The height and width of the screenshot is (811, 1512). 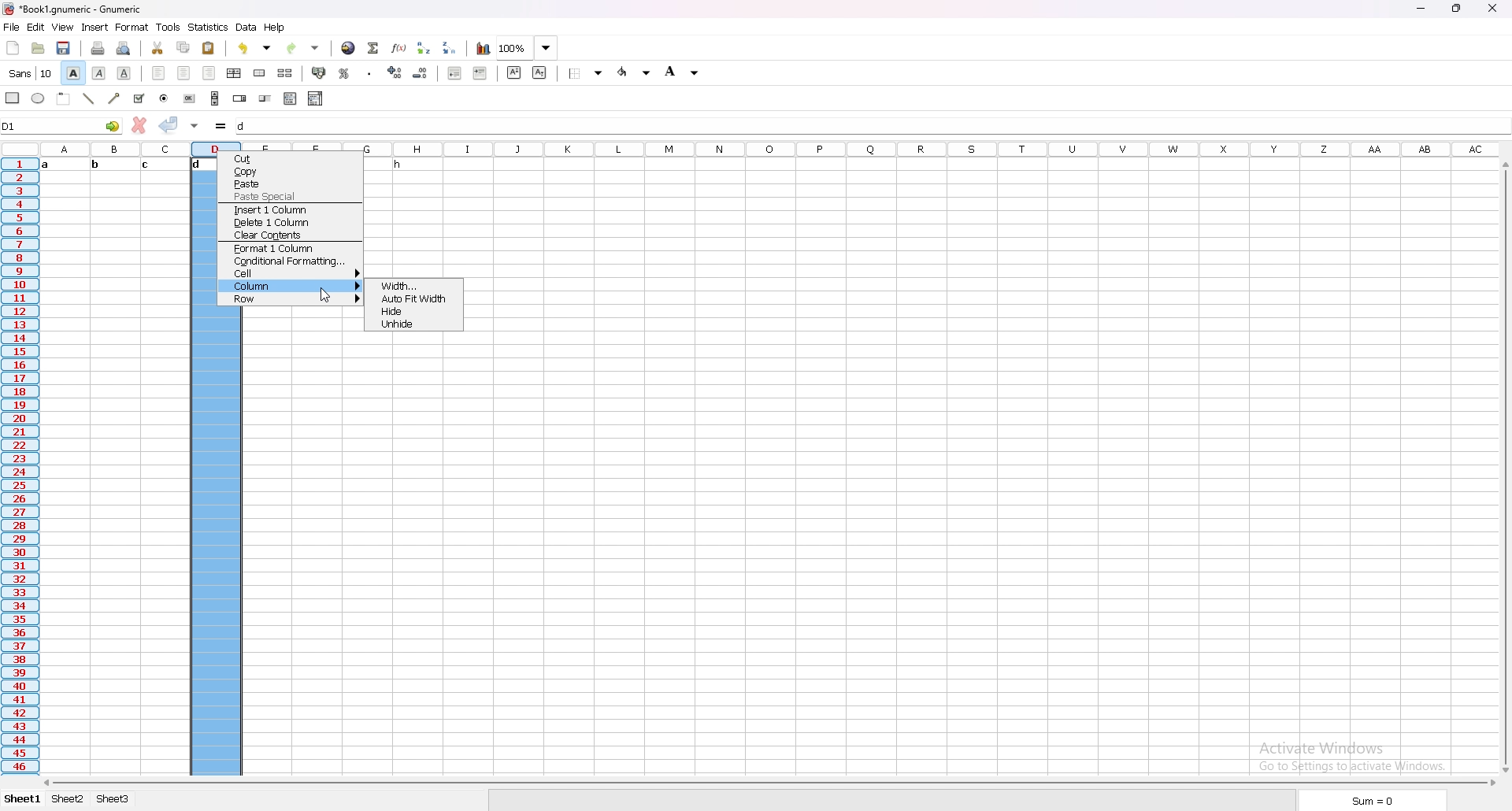 What do you see at coordinates (255, 48) in the screenshot?
I see `undo` at bounding box center [255, 48].